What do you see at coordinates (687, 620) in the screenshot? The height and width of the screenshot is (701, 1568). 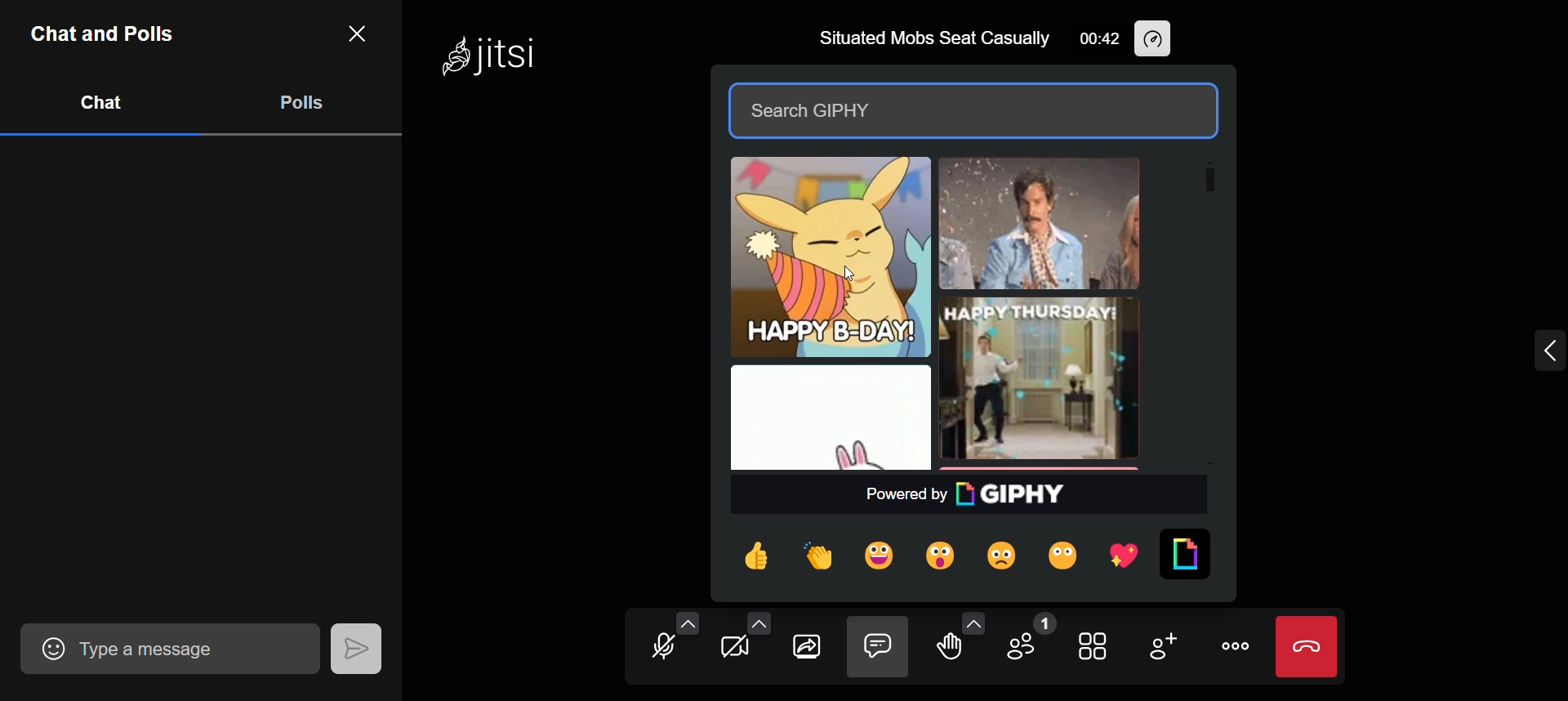 I see `audio setting` at bounding box center [687, 620].